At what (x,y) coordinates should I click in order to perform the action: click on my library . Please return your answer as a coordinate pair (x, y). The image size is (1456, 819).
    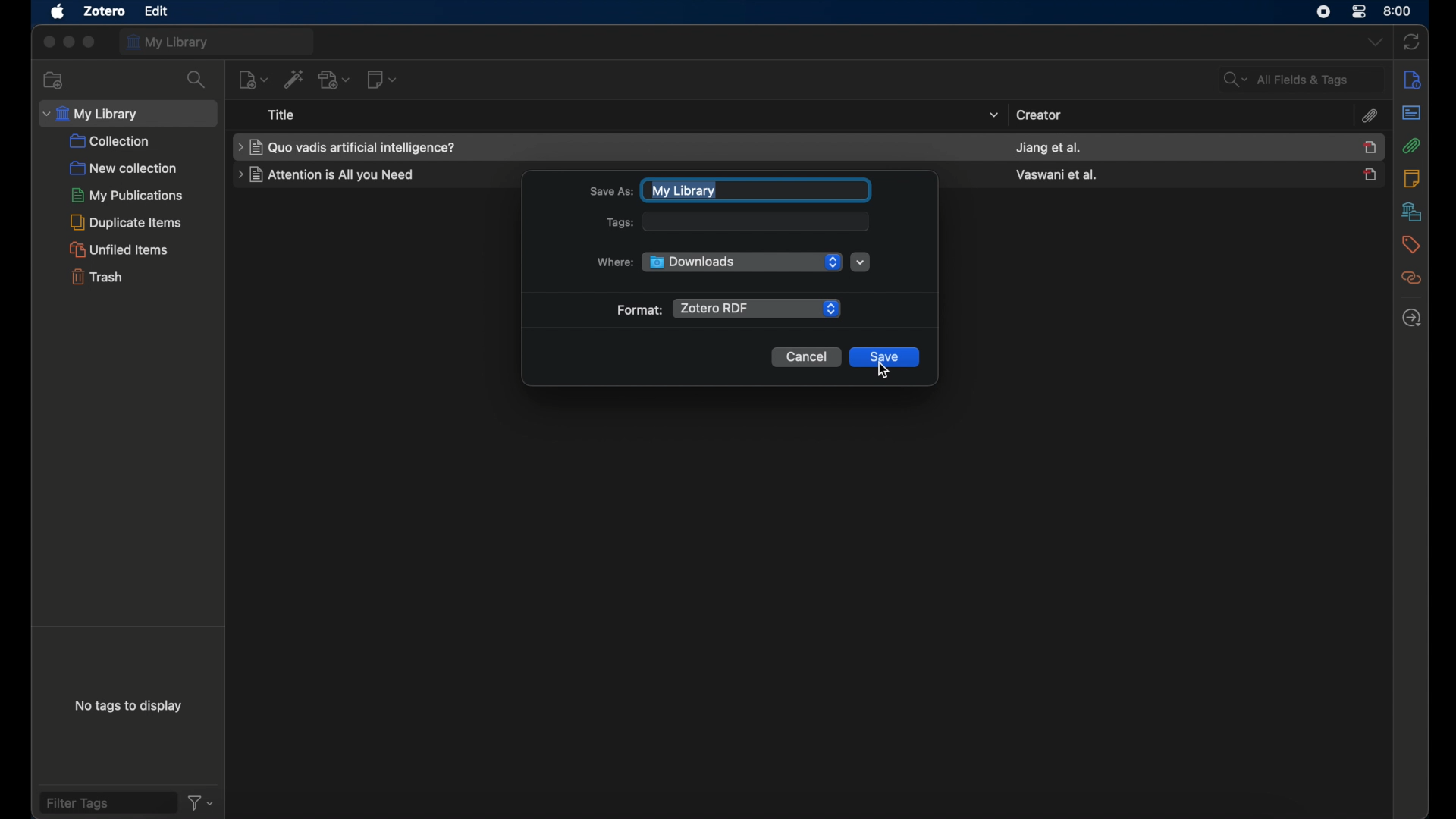
    Looking at the image, I should click on (218, 42).